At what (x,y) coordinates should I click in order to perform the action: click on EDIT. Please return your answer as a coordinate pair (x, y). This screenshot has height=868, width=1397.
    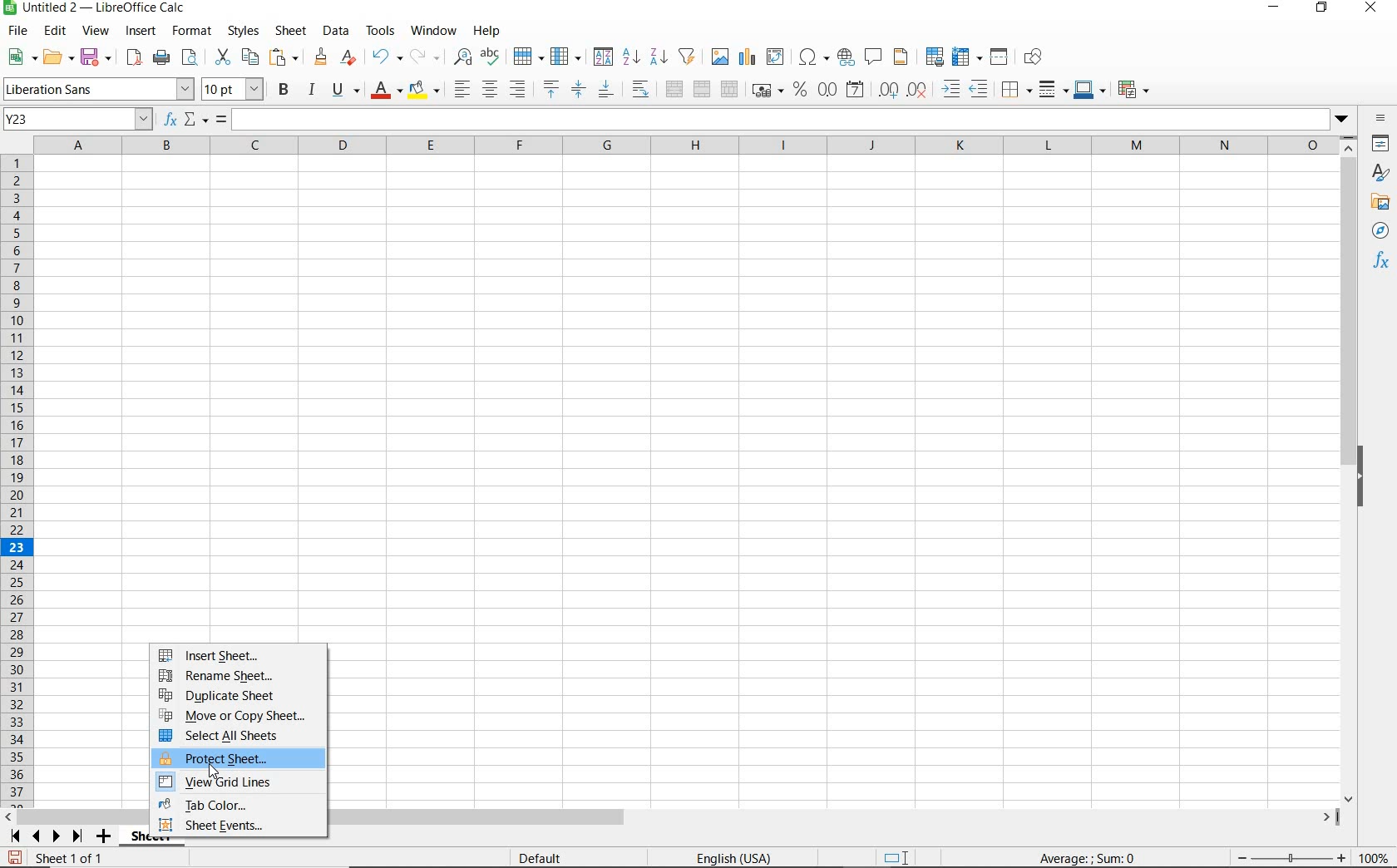
    Looking at the image, I should click on (55, 31).